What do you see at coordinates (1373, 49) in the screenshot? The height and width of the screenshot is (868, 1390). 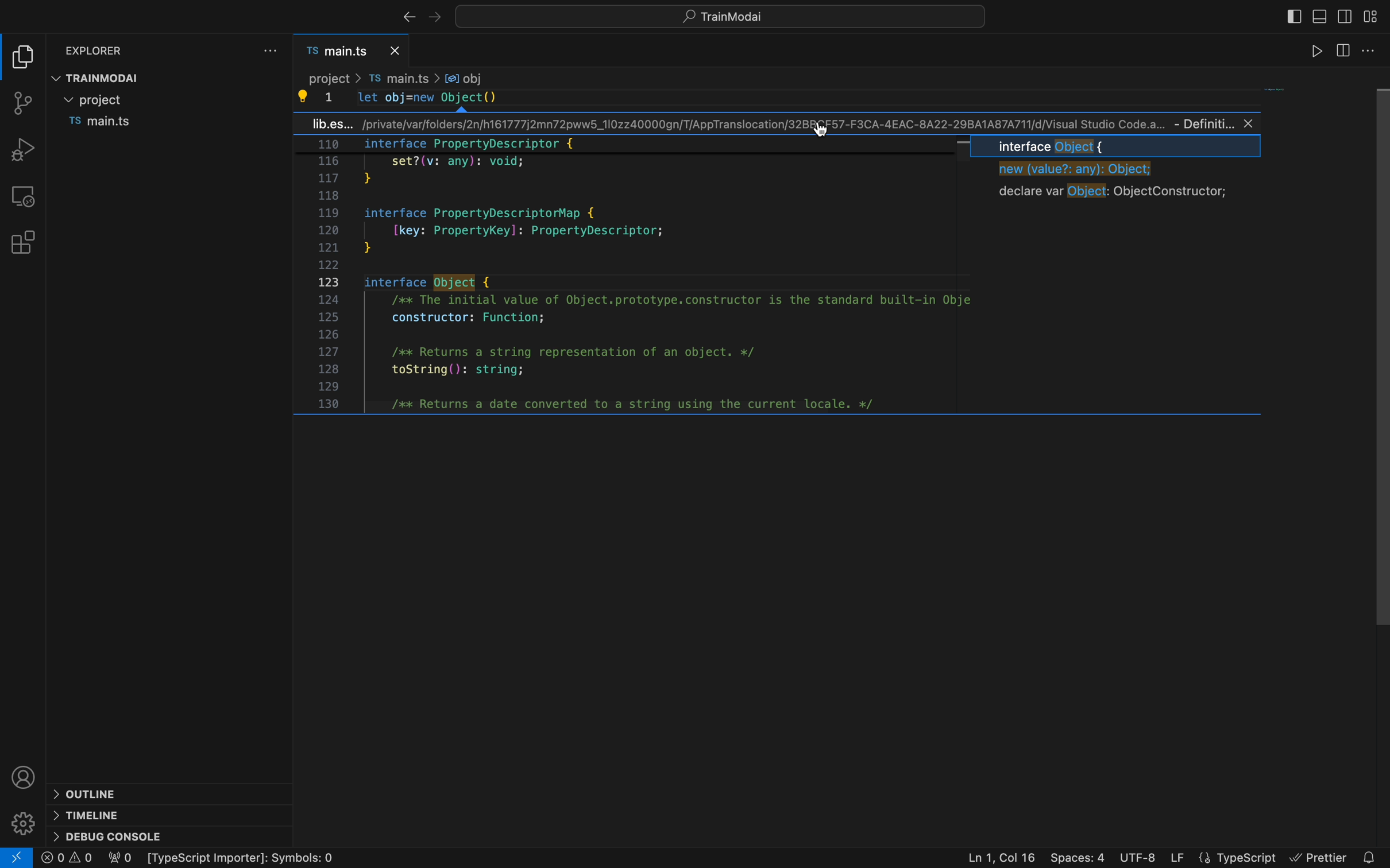 I see `code runner` at bounding box center [1373, 49].